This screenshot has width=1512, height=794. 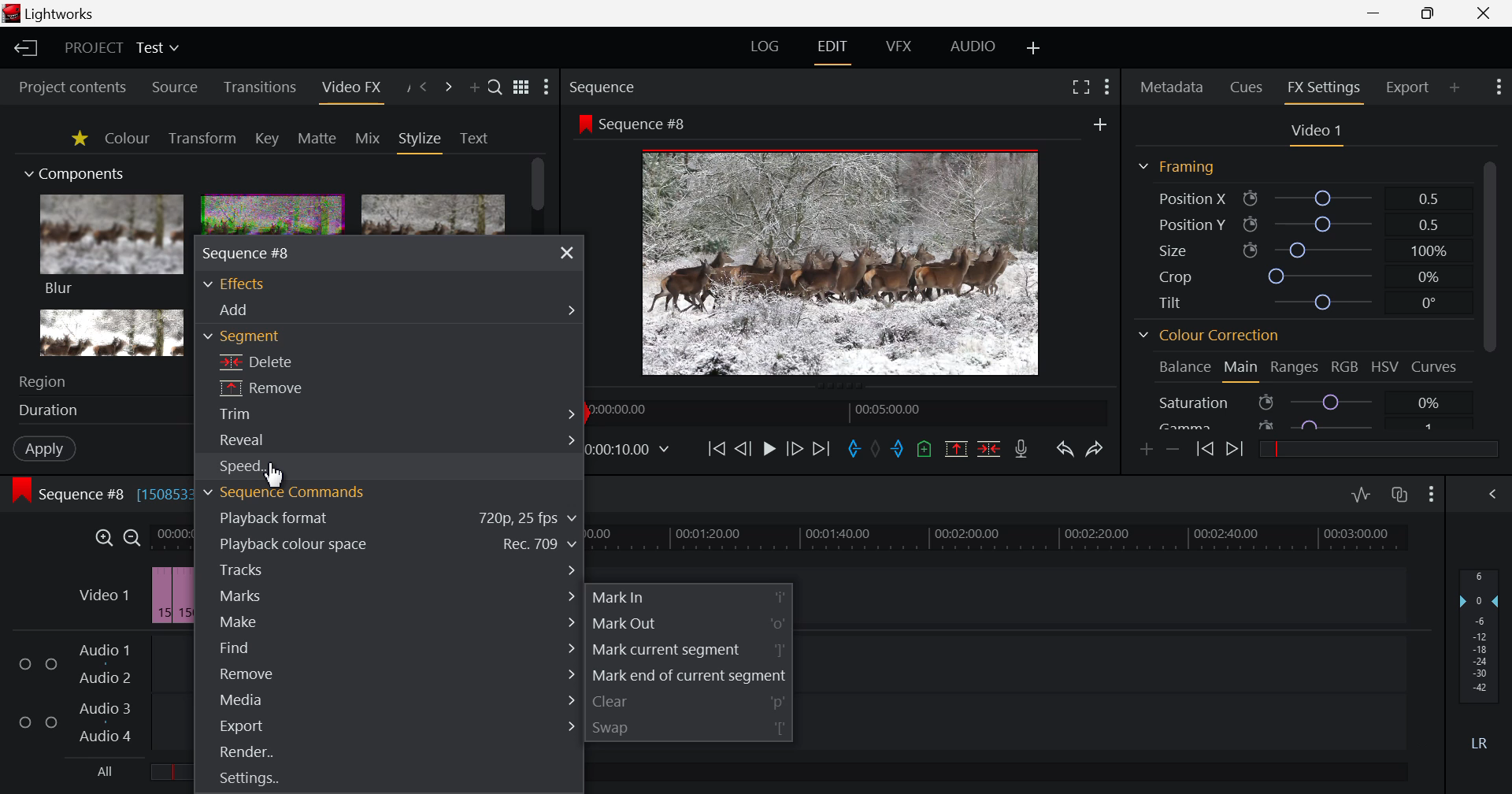 I want to click on Blur, so click(x=113, y=247).